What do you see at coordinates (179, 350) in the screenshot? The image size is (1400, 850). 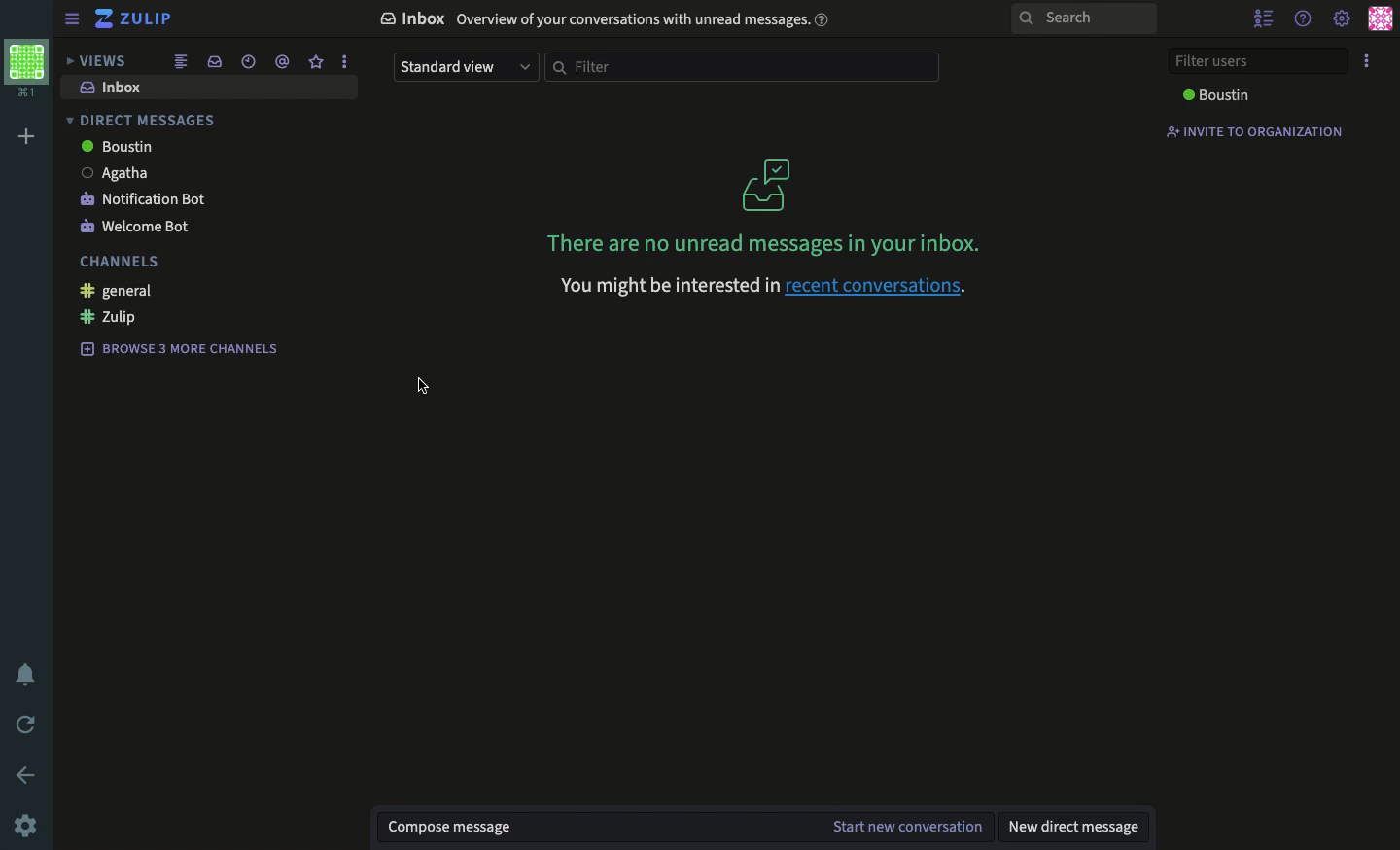 I see `browse 3 more channels` at bounding box center [179, 350].